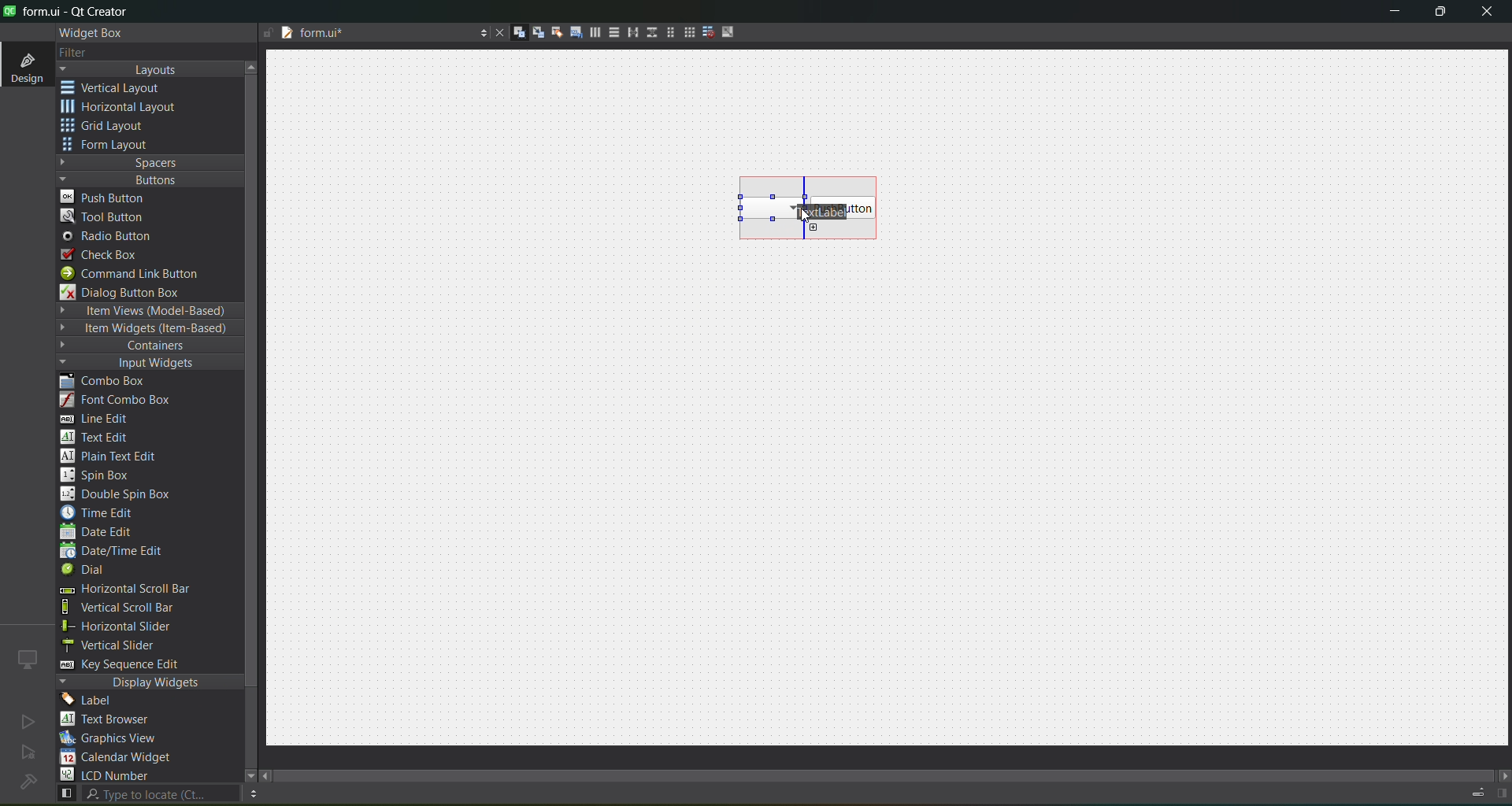  Describe the element at coordinates (28, 721) in the screenshot. I see `no active project` at that location.